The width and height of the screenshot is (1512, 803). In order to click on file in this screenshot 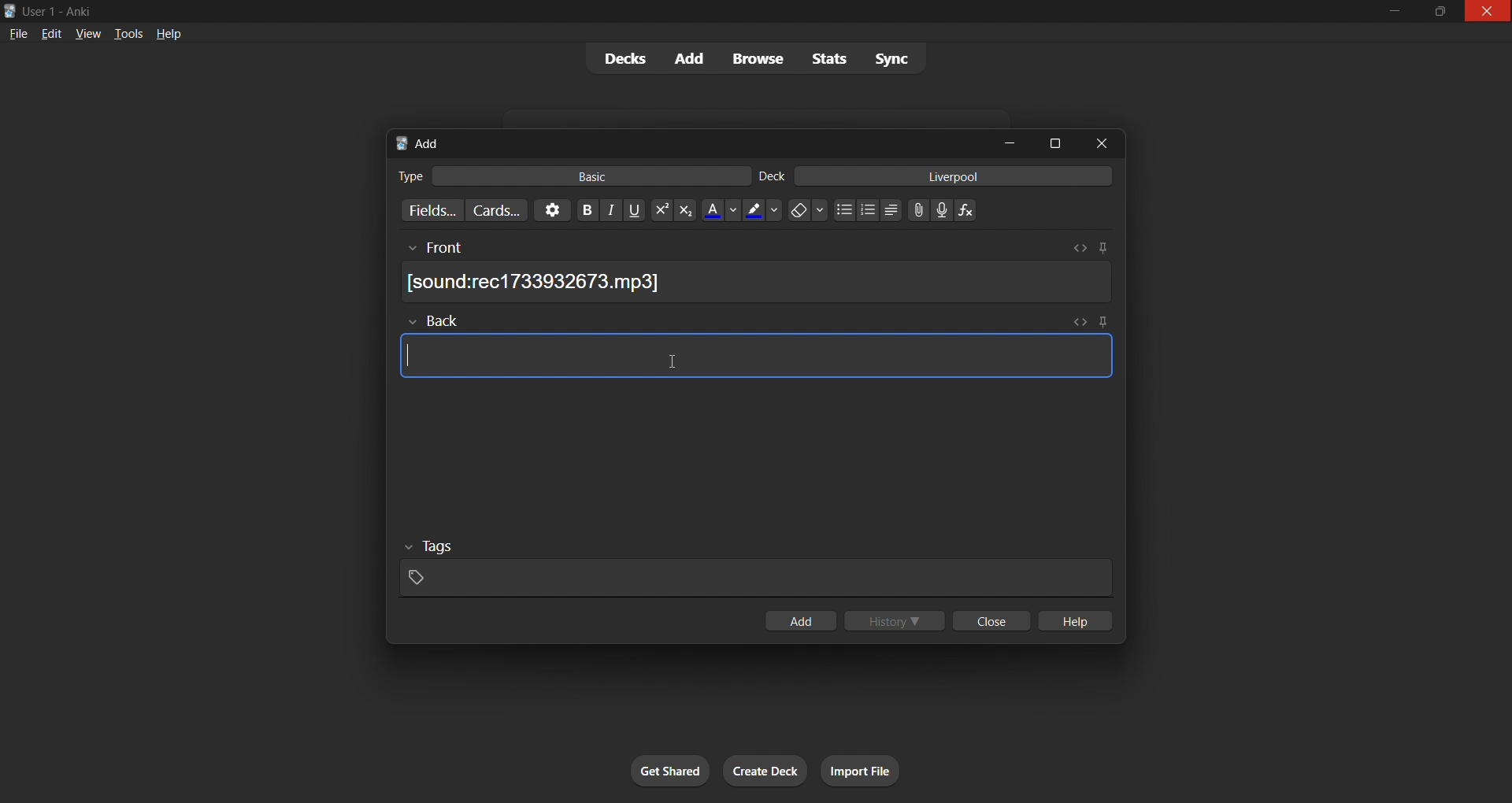, I will do `click(15, 35)`.